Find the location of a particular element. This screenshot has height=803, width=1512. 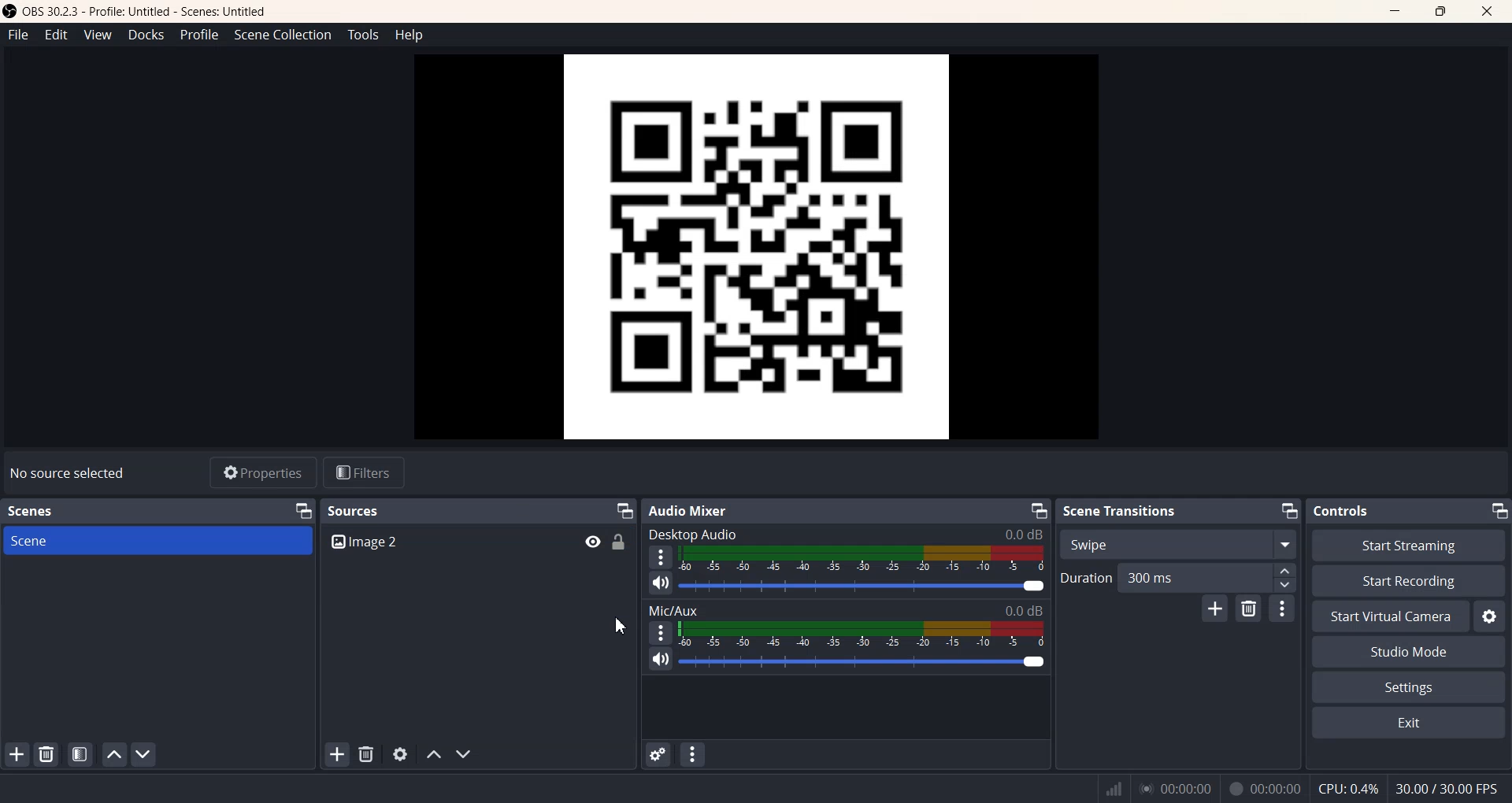

Minimize is located at coordinates (298, 509).